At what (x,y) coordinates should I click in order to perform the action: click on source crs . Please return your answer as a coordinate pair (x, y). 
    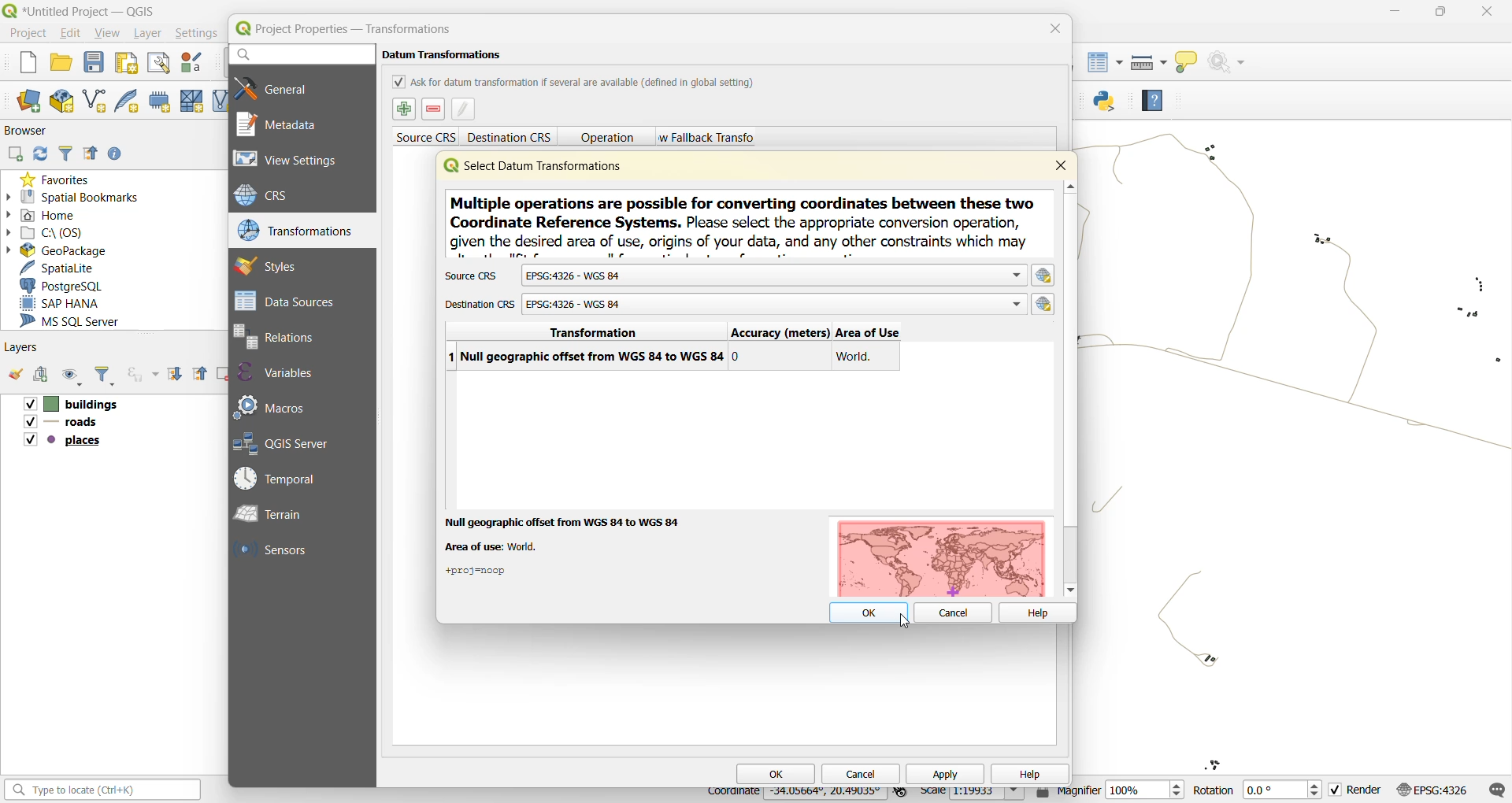
    Looking at the image, I should click on (472, 278).